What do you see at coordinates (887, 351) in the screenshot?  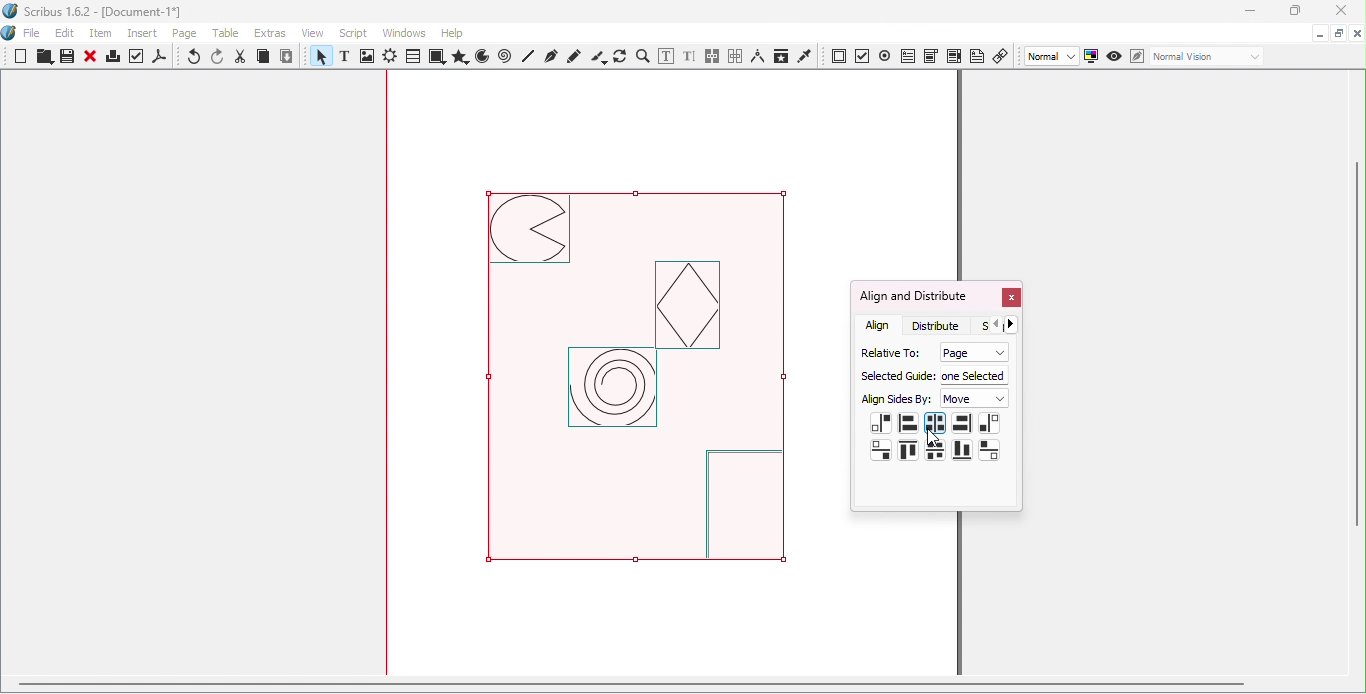 I see `Relative to` at bounding box center [887, 351].